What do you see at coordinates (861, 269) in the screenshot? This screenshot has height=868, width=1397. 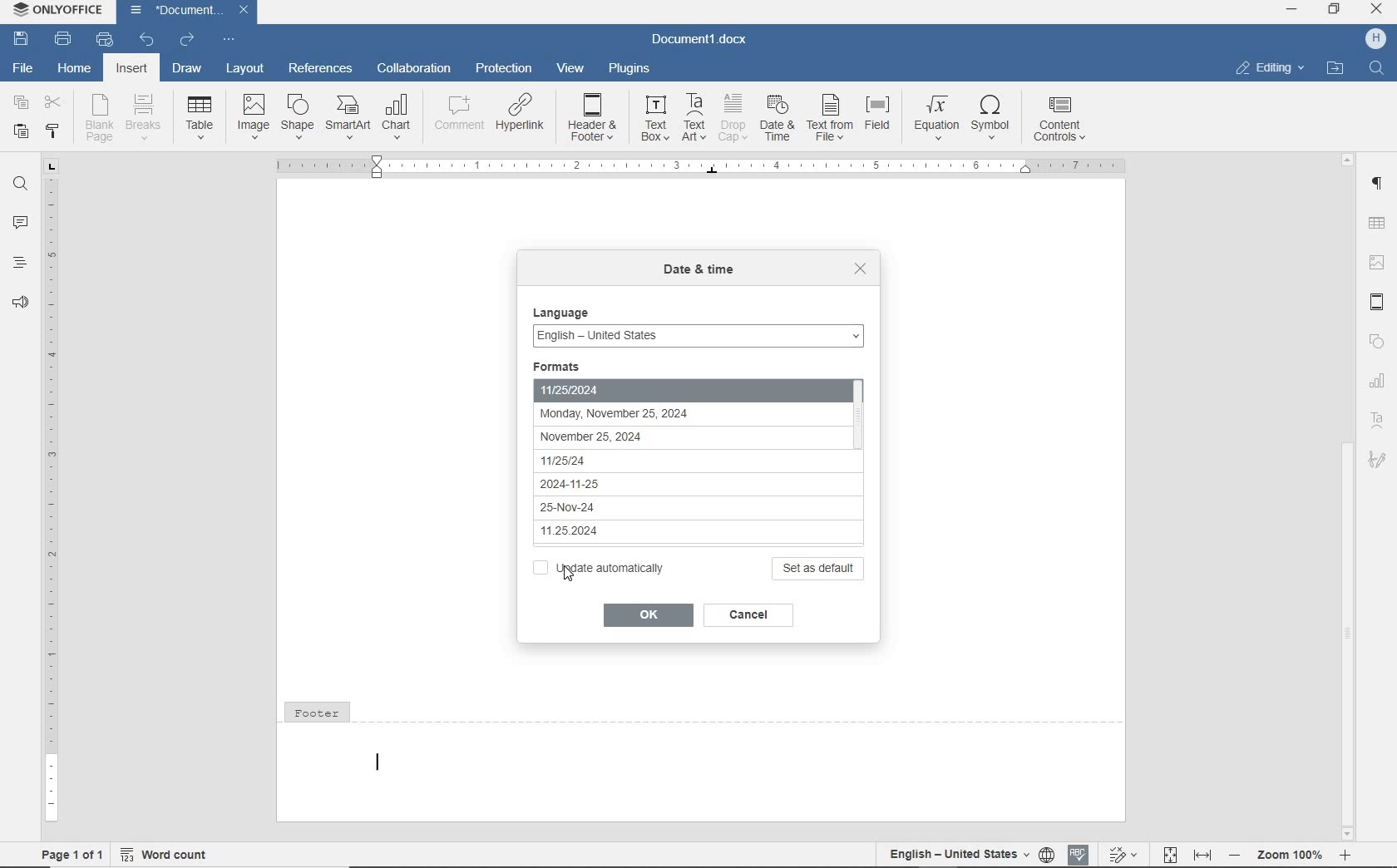 I see `close` at bounding box center [861, 269].